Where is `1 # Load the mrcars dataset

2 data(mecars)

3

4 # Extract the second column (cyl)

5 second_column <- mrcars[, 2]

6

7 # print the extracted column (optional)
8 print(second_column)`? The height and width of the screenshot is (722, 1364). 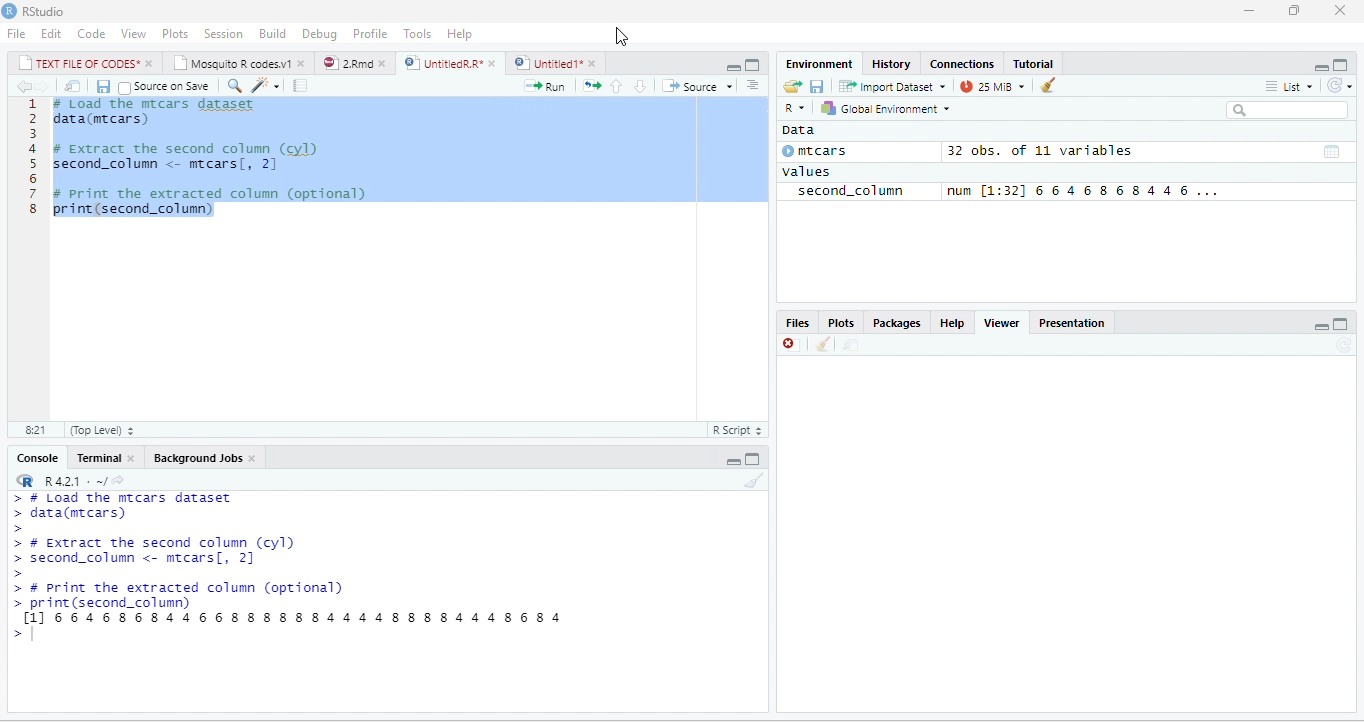
1 # Load the mrcars dataset

2 data(mecars)

3

4 # Extract the second column (cyl)

5 second_column <- mrcars[, 2]

6

7 # print the extracted column (optional)
8 print(second_column) is located at coordinates (207, 160).